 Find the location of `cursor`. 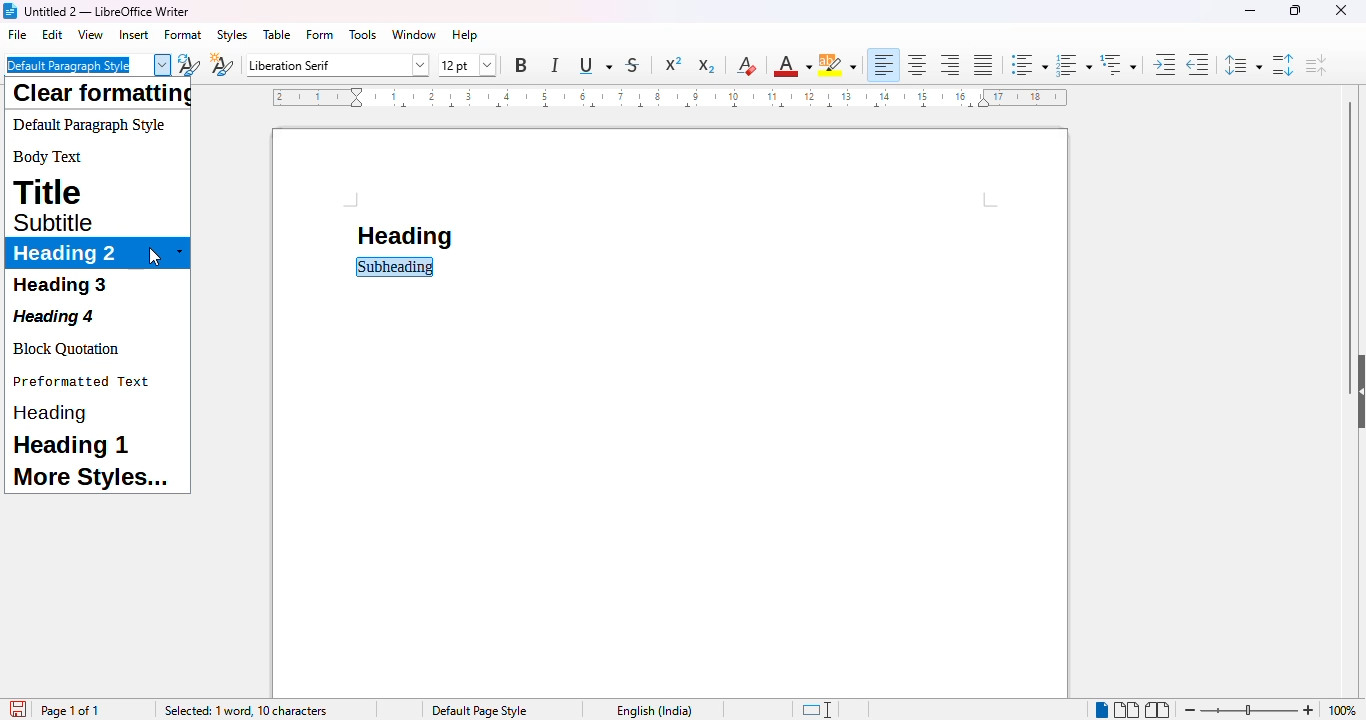

cursor is located at coordinates (155, 257).